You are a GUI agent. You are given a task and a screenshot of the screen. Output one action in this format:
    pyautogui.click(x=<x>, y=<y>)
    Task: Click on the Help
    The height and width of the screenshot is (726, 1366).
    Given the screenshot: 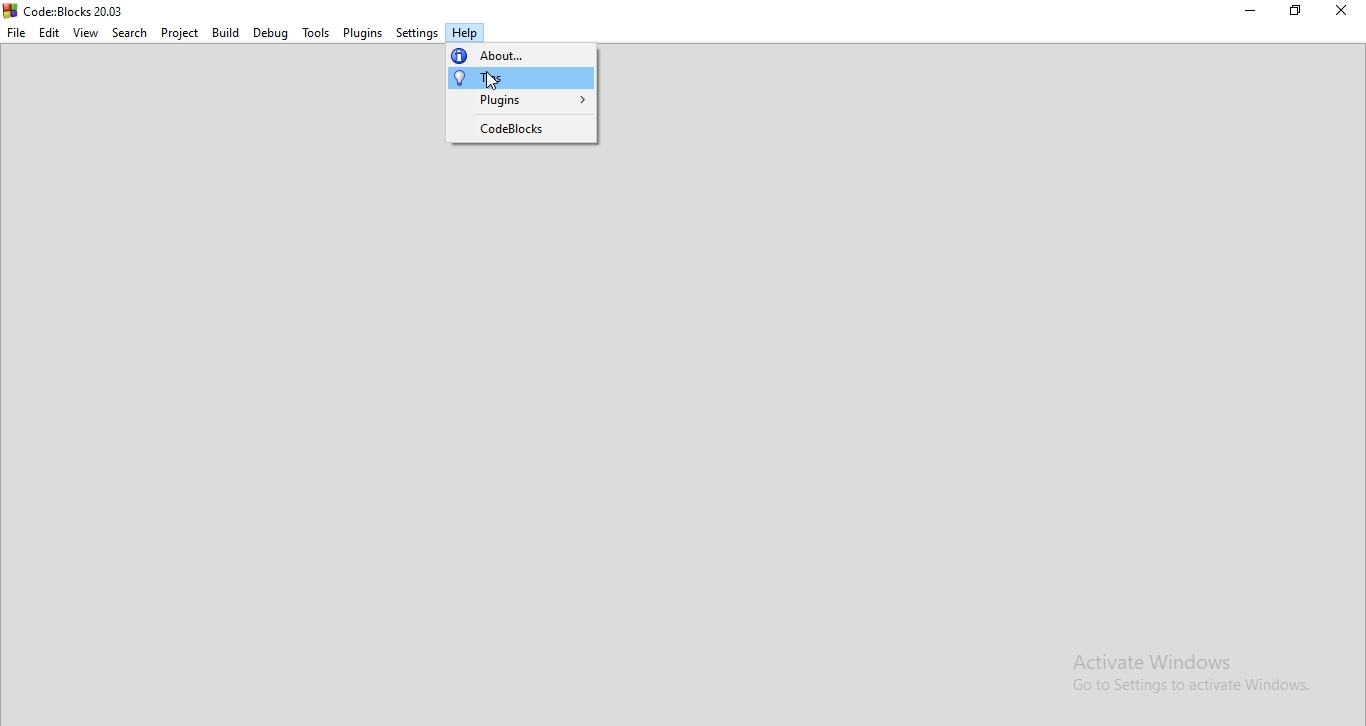 What is the action you would take?
    pyautogui.click(x=469, y=35)
    